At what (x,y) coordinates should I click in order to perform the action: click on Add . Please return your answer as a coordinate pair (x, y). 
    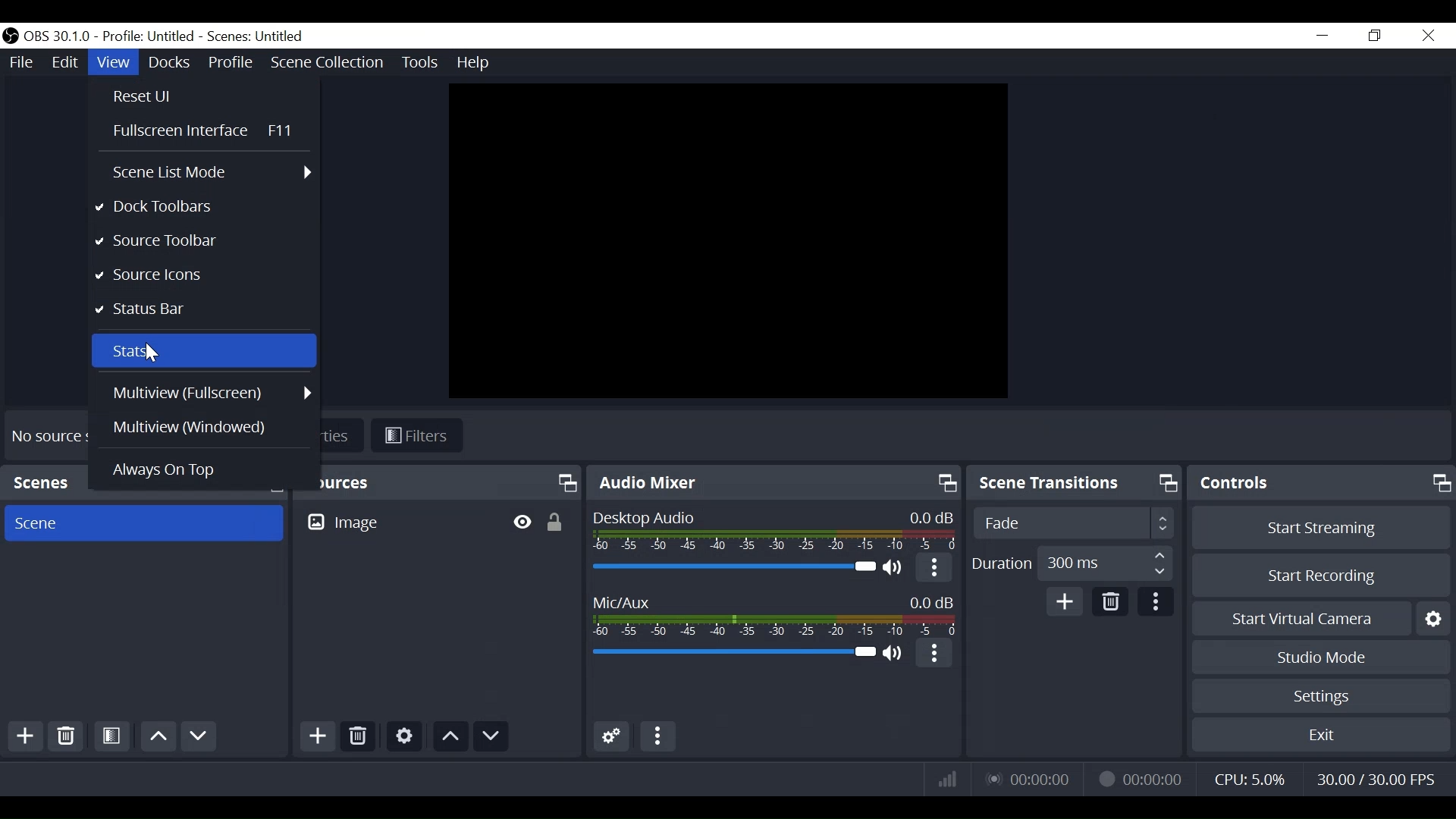
    Looking at the image, I should click on (1065, 603).